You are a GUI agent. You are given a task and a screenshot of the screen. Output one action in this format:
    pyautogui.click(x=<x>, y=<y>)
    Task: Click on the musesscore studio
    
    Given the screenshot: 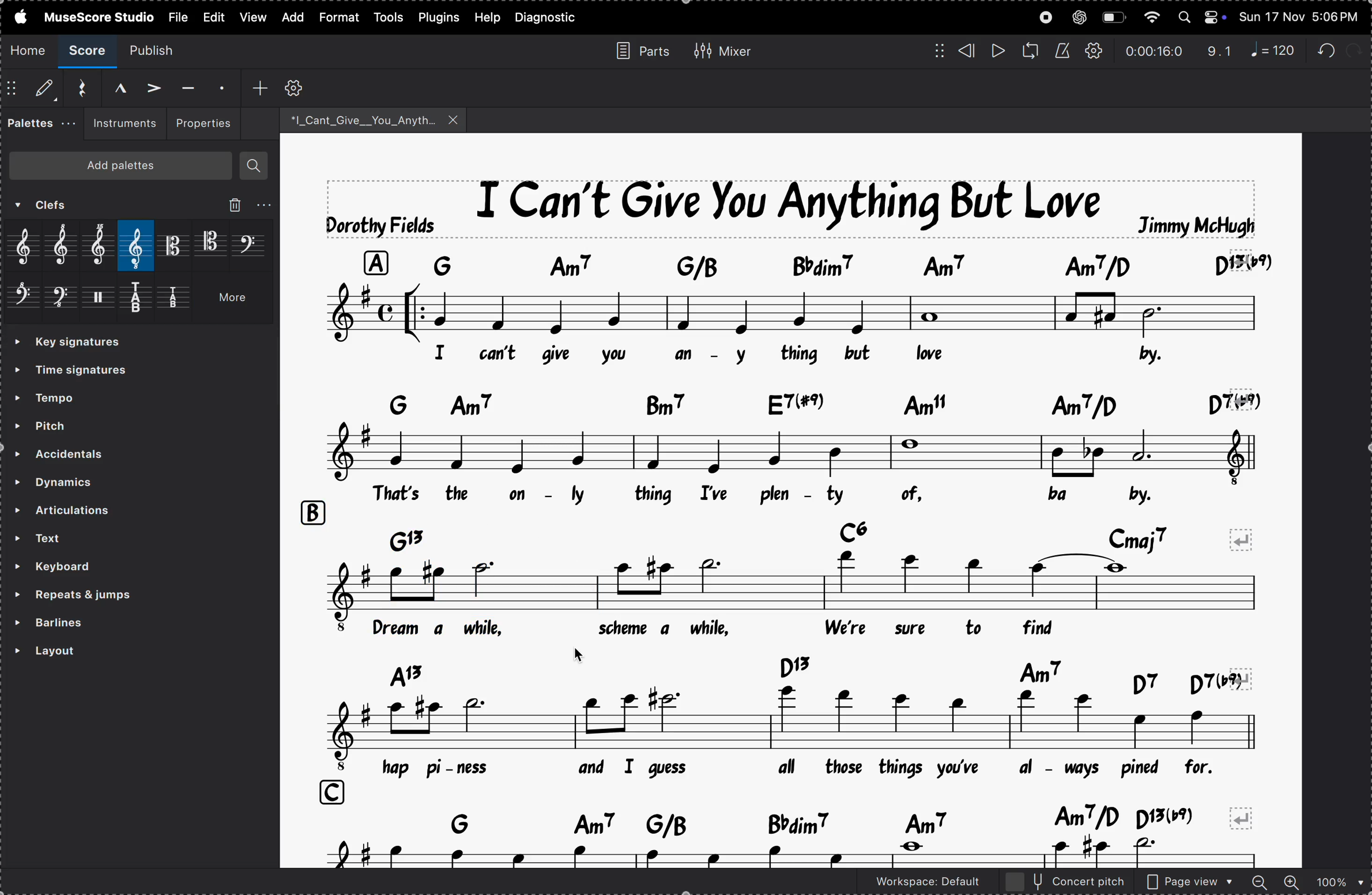 What is the action you would take?
    pyautogui.click(x=98, y=16)
    